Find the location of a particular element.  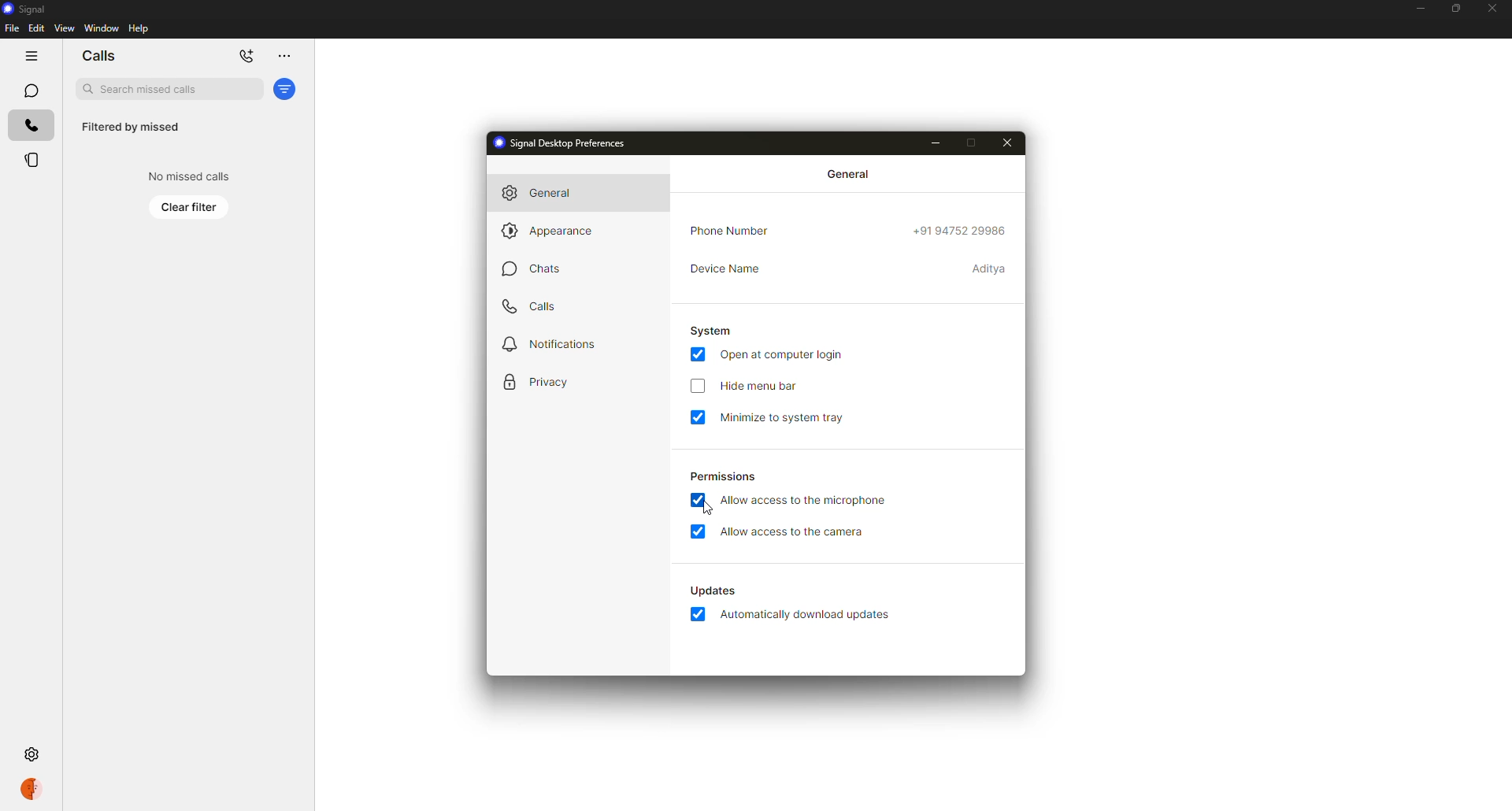

calls is located at coordinates (31, 126).